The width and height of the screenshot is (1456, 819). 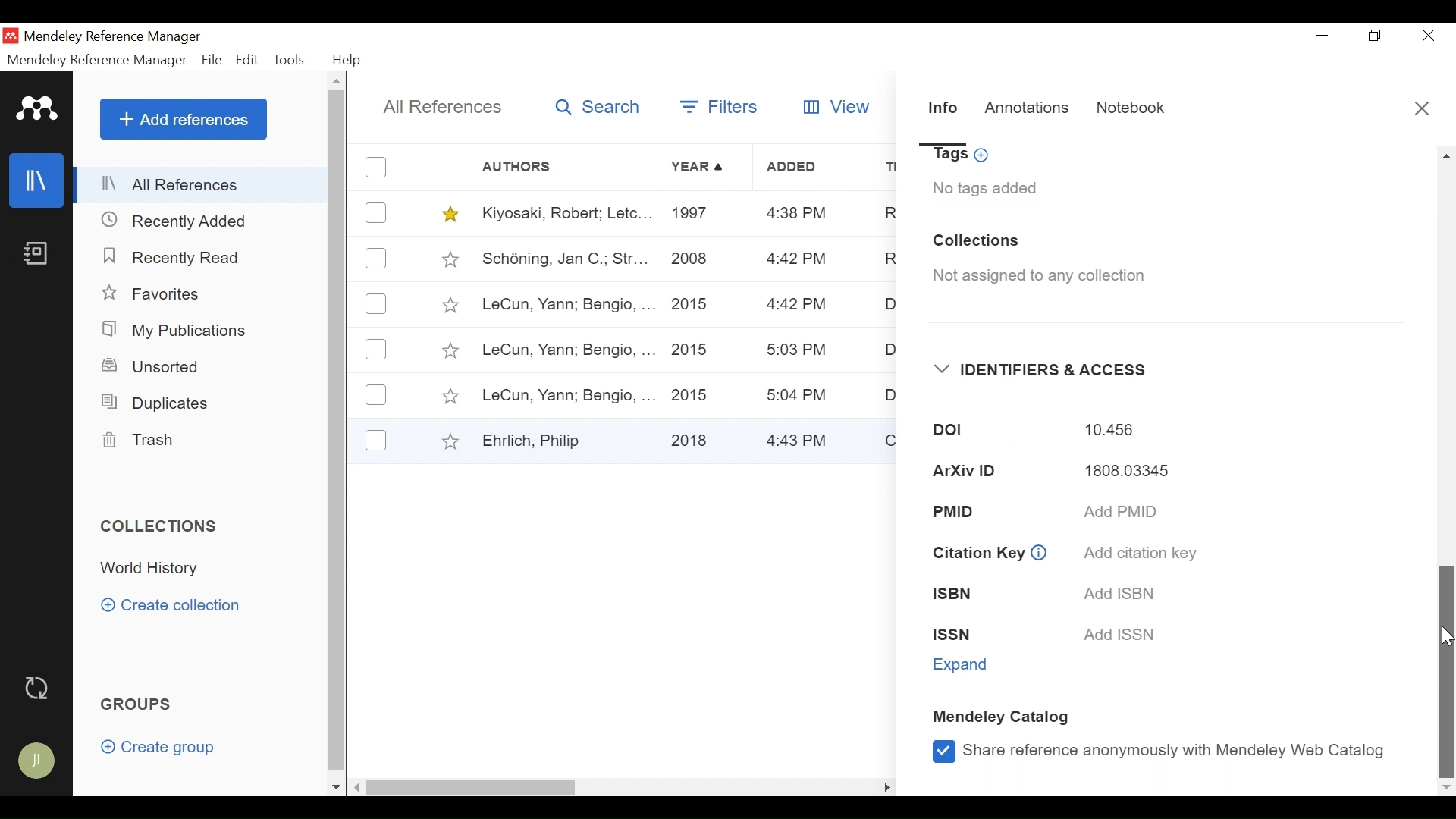 What do you see at coordinates (161, 527) in the screenshot?
I see `Collections` at bounding box center [161, 527].